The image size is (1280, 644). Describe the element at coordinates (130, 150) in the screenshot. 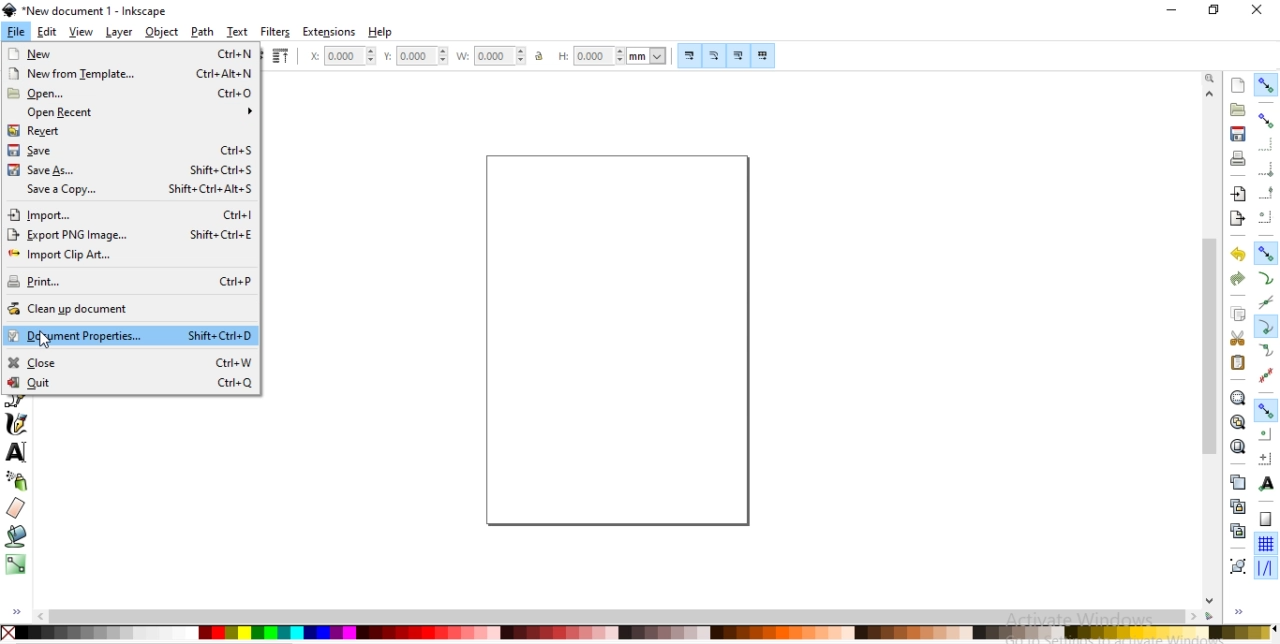

I see `save` at that location.